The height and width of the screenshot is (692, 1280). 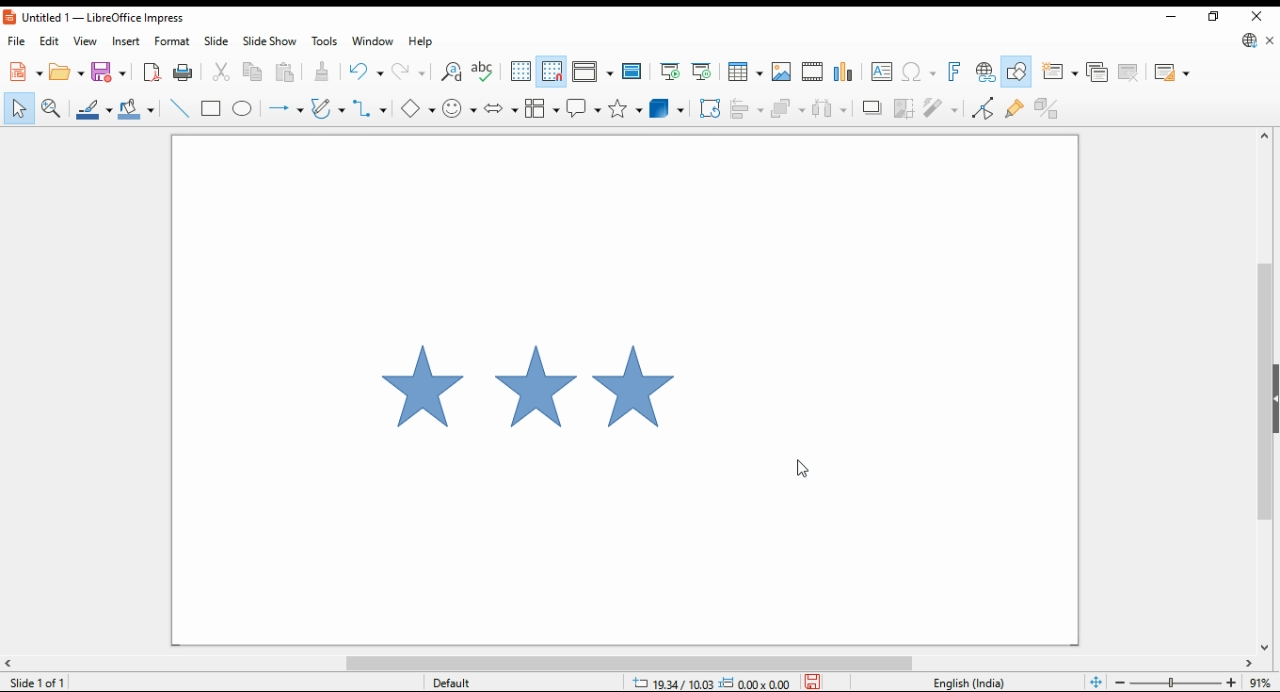 What do you see at coordinates (67, 71) in the screenshot?
I see `open` at bounding box center [67, 71].